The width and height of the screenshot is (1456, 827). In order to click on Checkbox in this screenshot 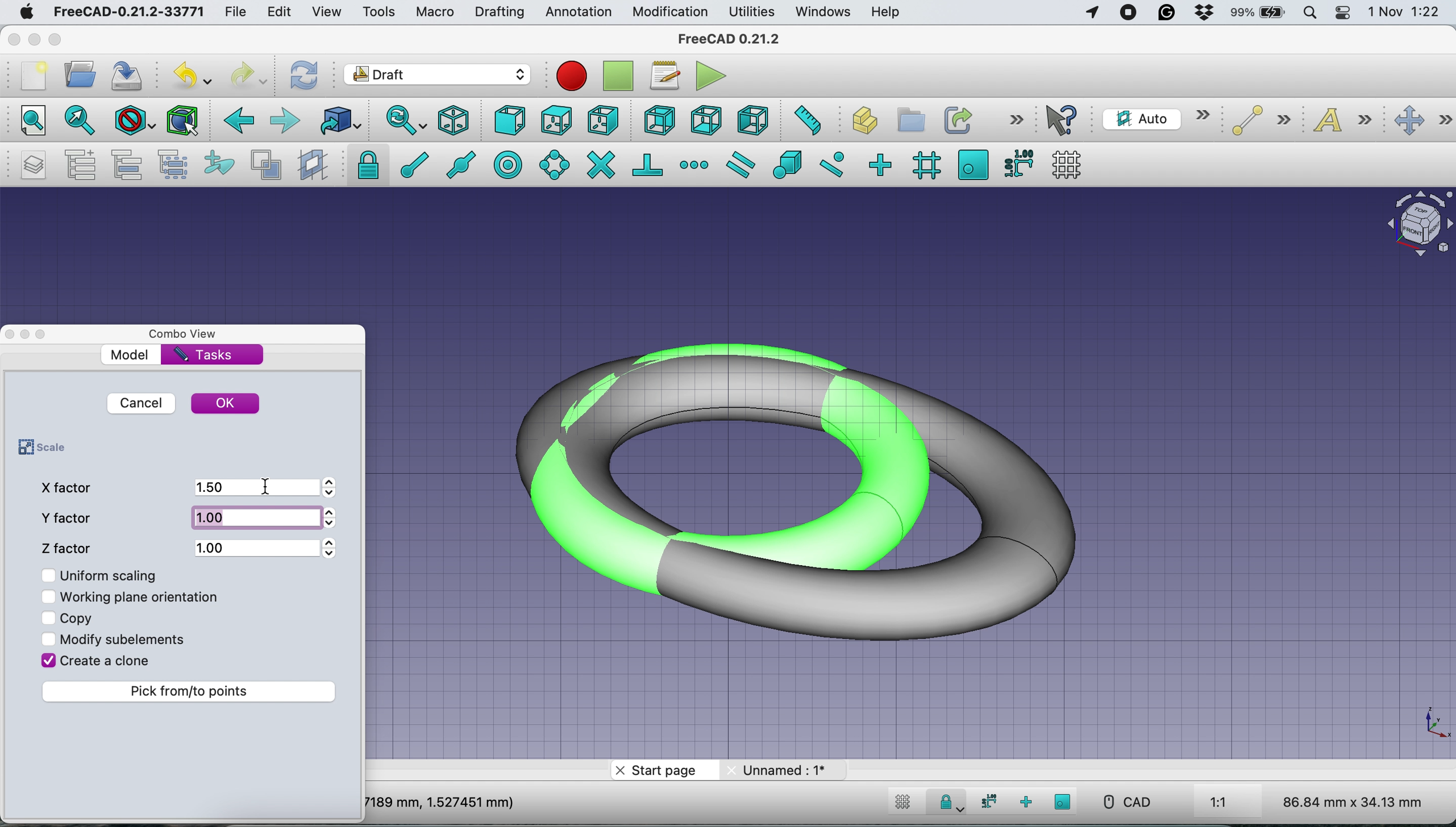, I will do `click(47, 659)`.